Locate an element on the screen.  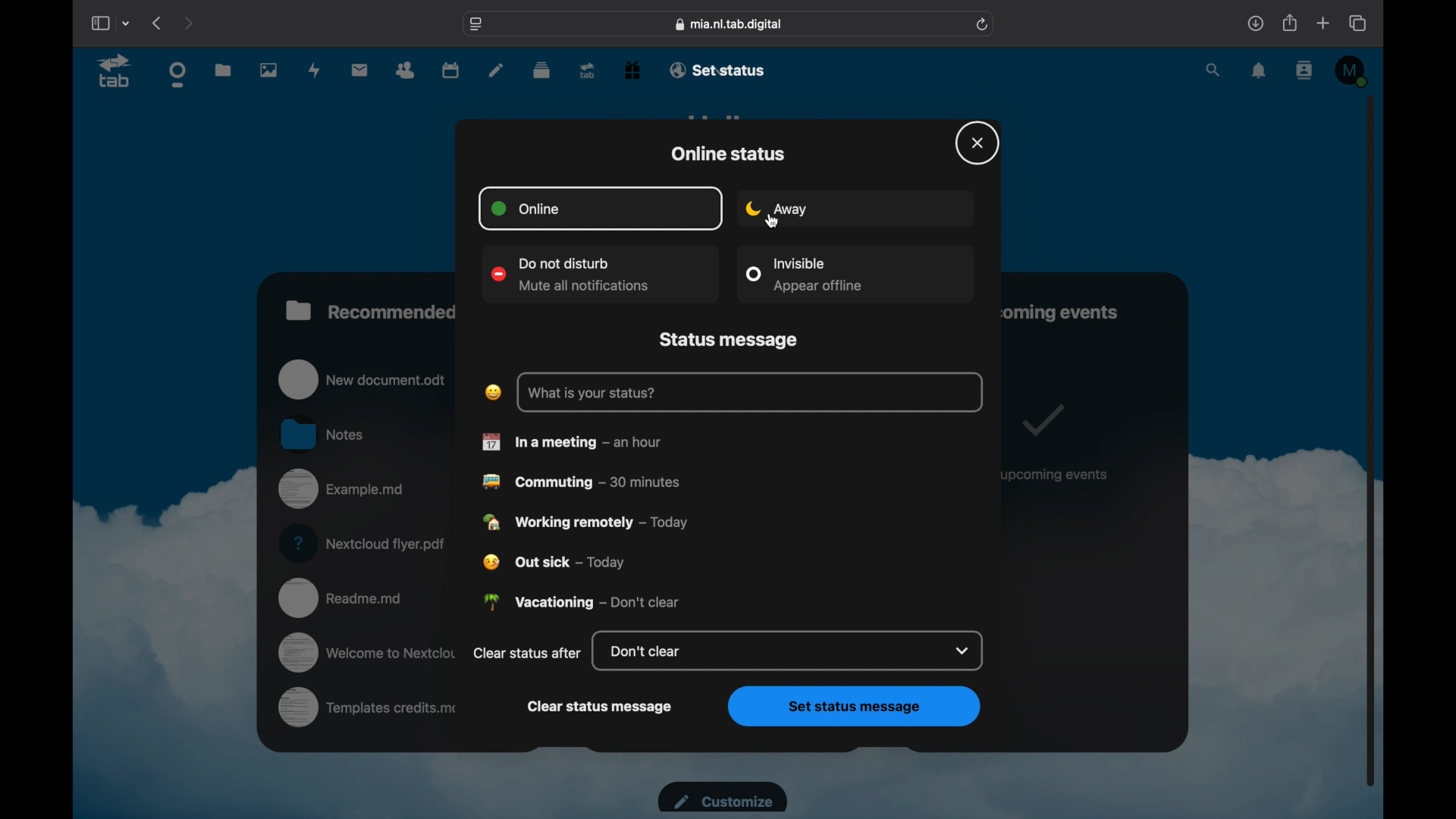
activity is located at coordinates (317, 70).